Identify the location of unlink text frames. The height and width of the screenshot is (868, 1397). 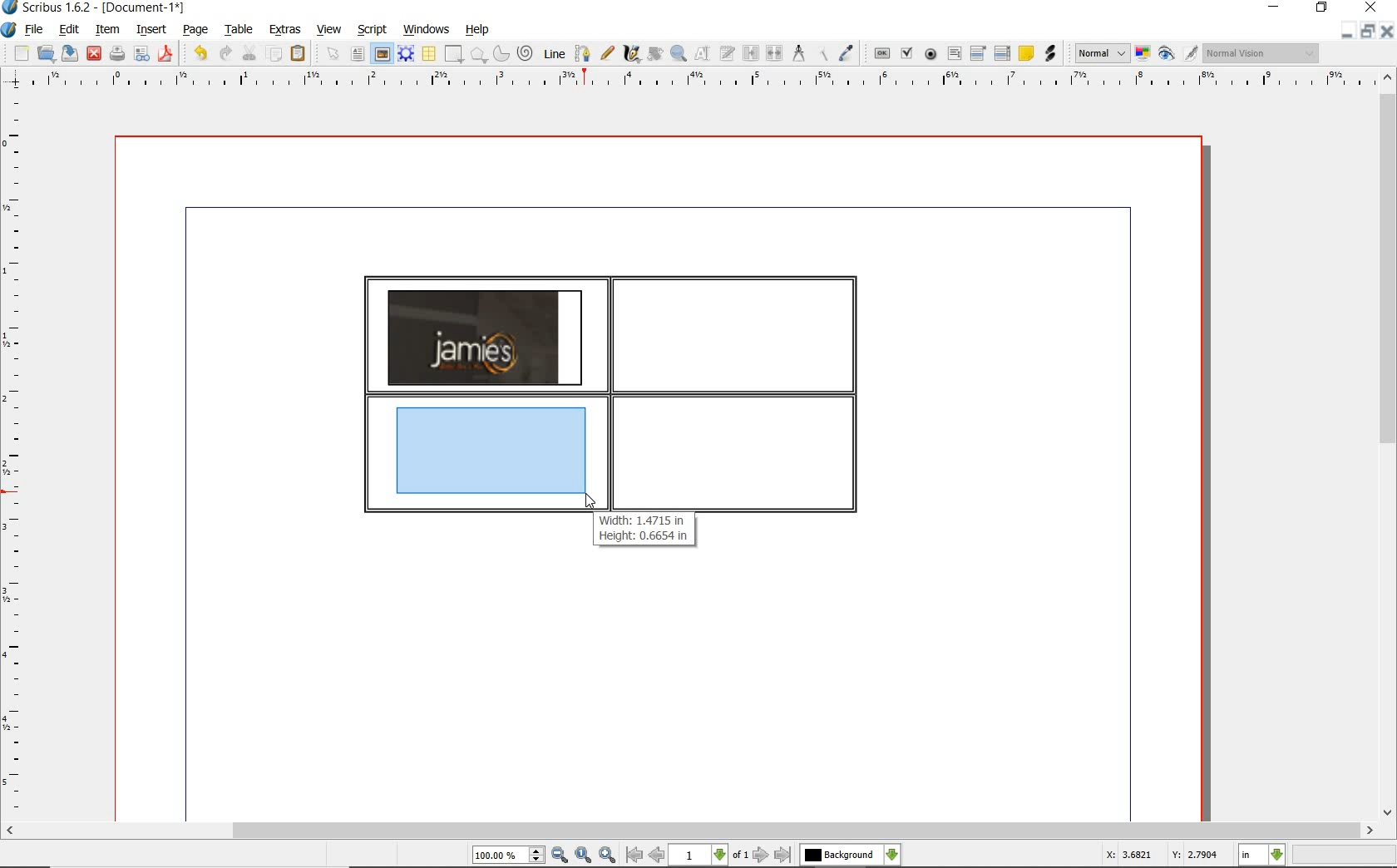
(776, 53).